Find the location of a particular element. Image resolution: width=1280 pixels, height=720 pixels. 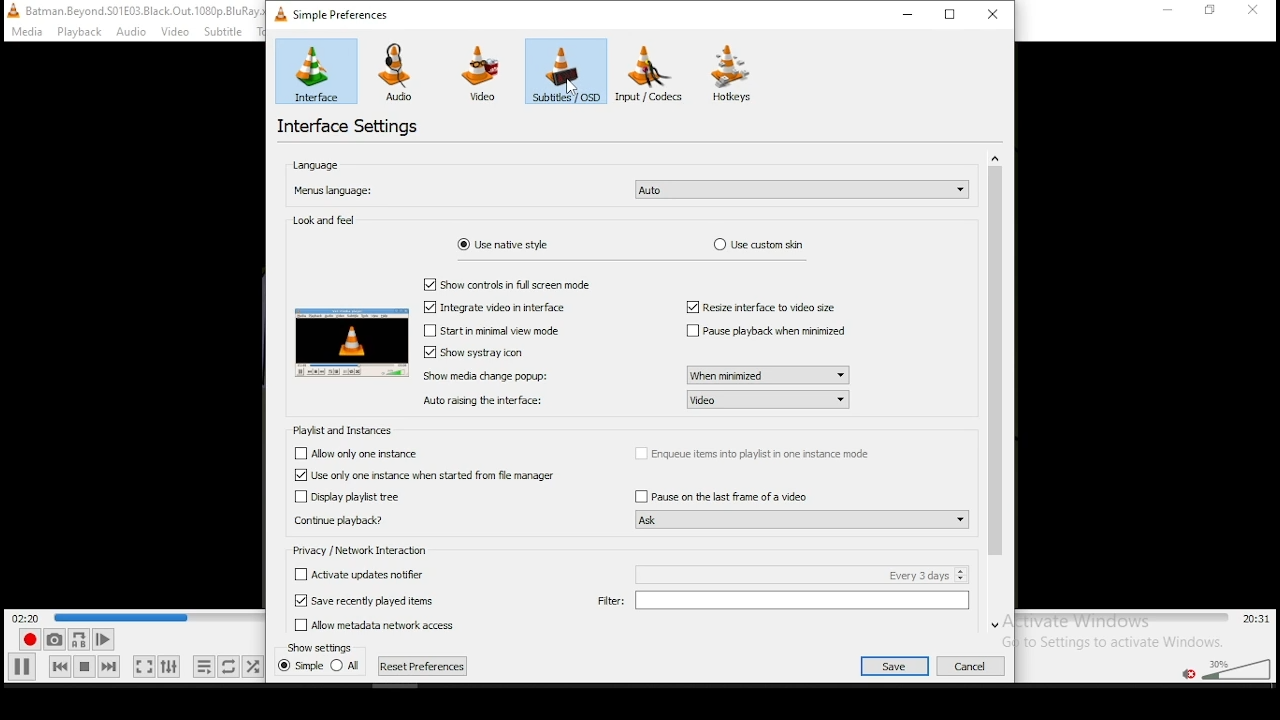

simple preferences is located at coordinates (336, 18).